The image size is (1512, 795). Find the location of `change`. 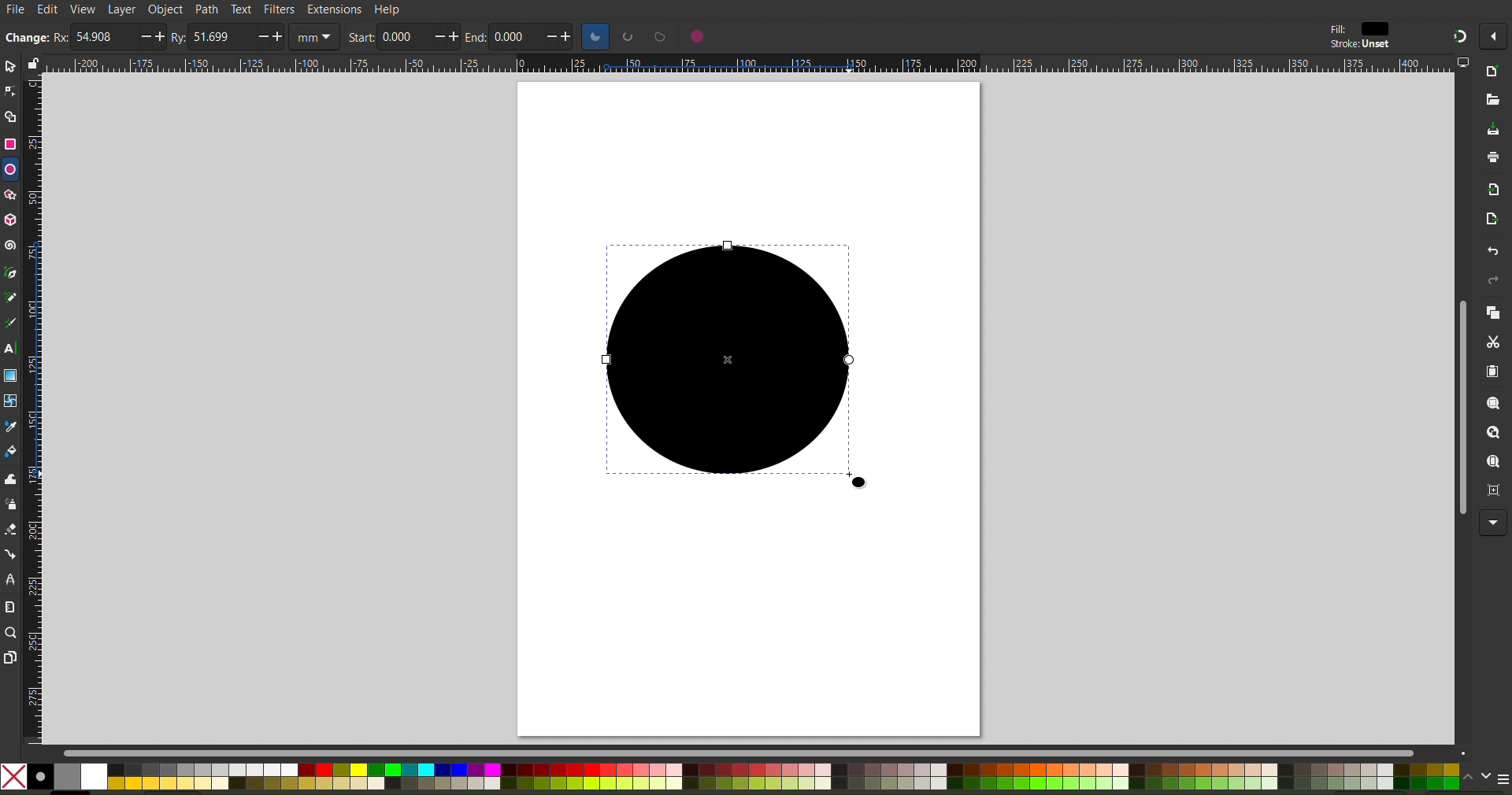

change is located at coordinates (28, 38).